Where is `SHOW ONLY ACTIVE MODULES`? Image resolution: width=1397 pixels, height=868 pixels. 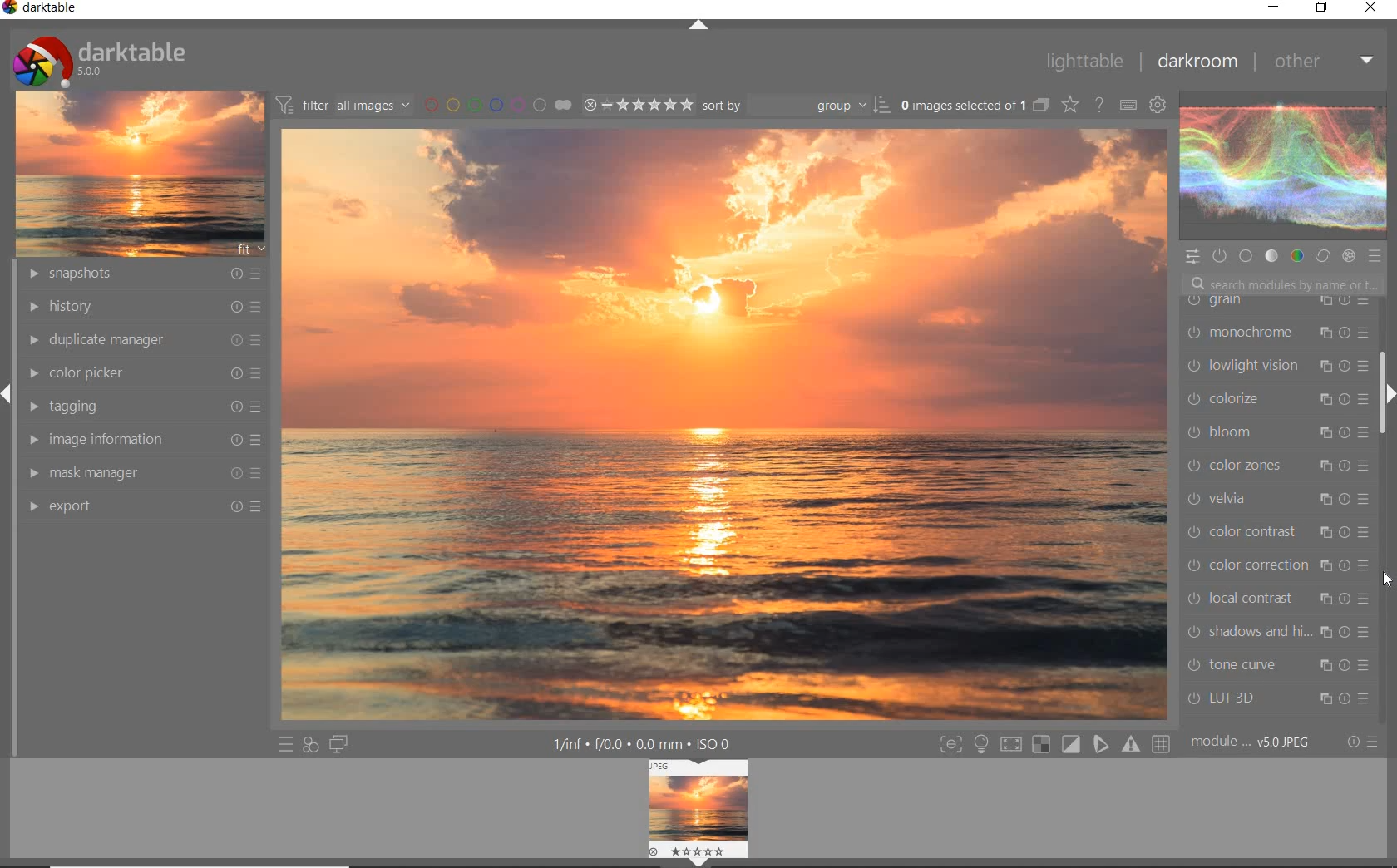 SHOW ONLY ACTIVE MODULES is located at coordinates (1219, 255).